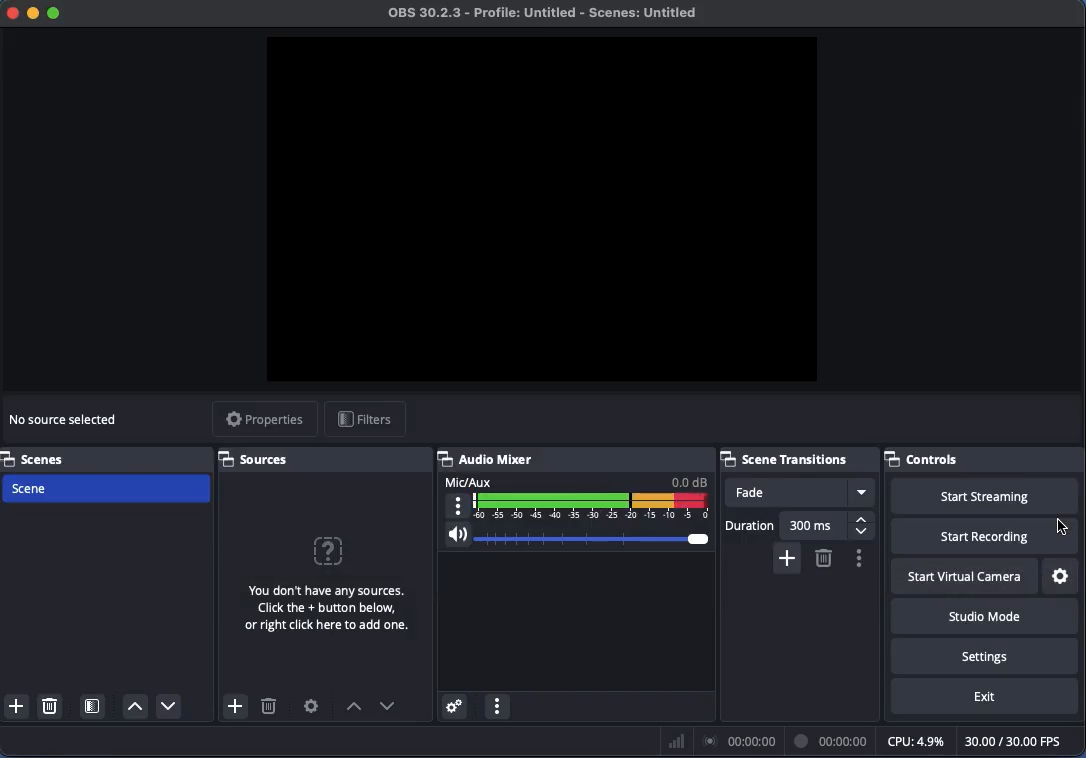  Describe the element at coordinates (740, 742) in the screenshot. I see `Braodcast` at that location.